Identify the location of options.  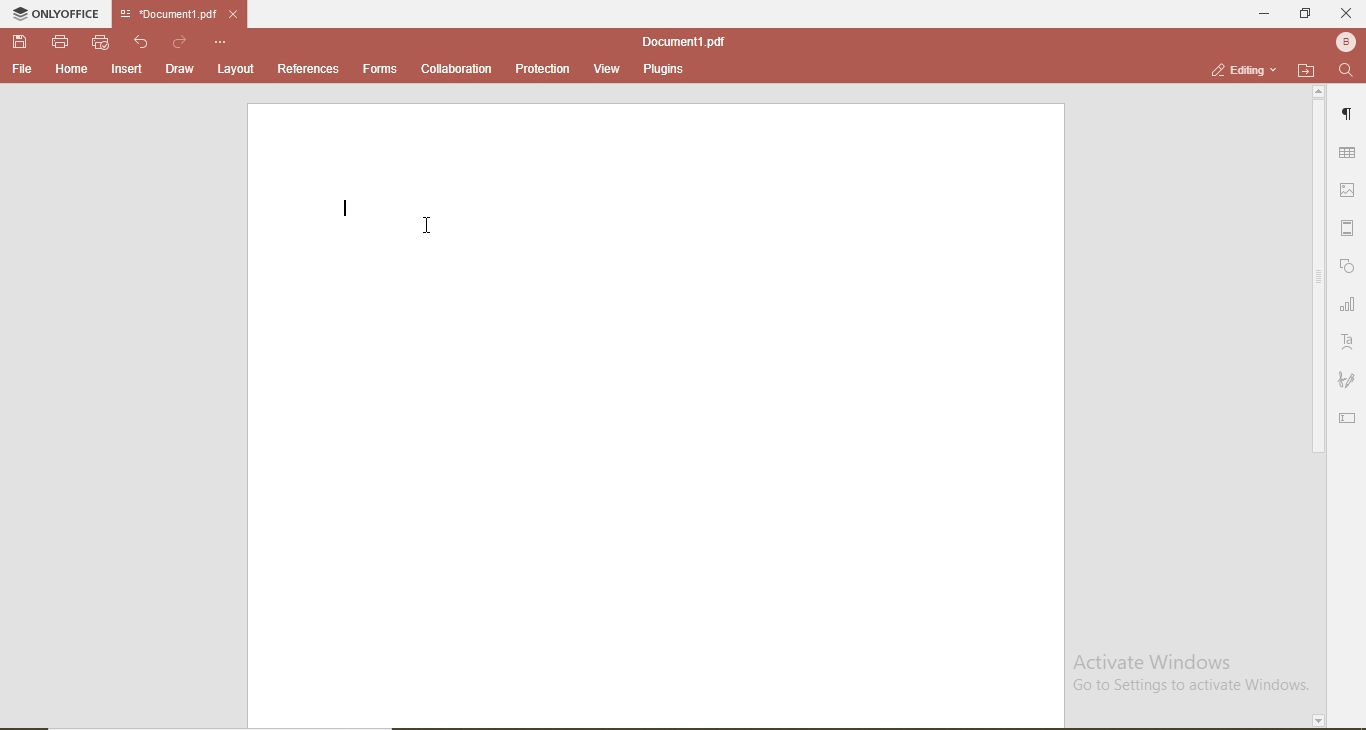
(221, 43).